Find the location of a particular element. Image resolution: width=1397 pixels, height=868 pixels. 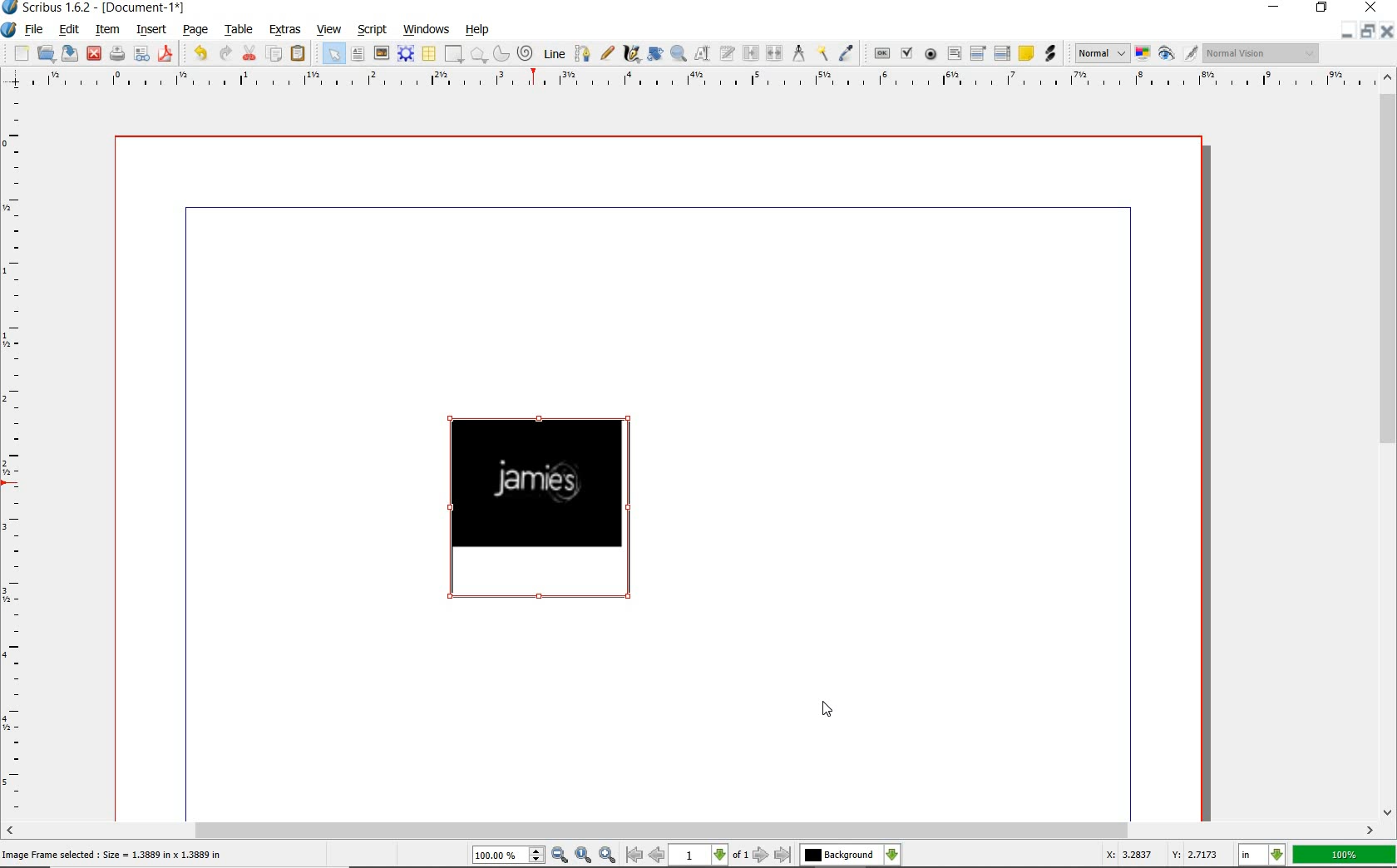

pdf list box is located at coordinates (1003, 54).